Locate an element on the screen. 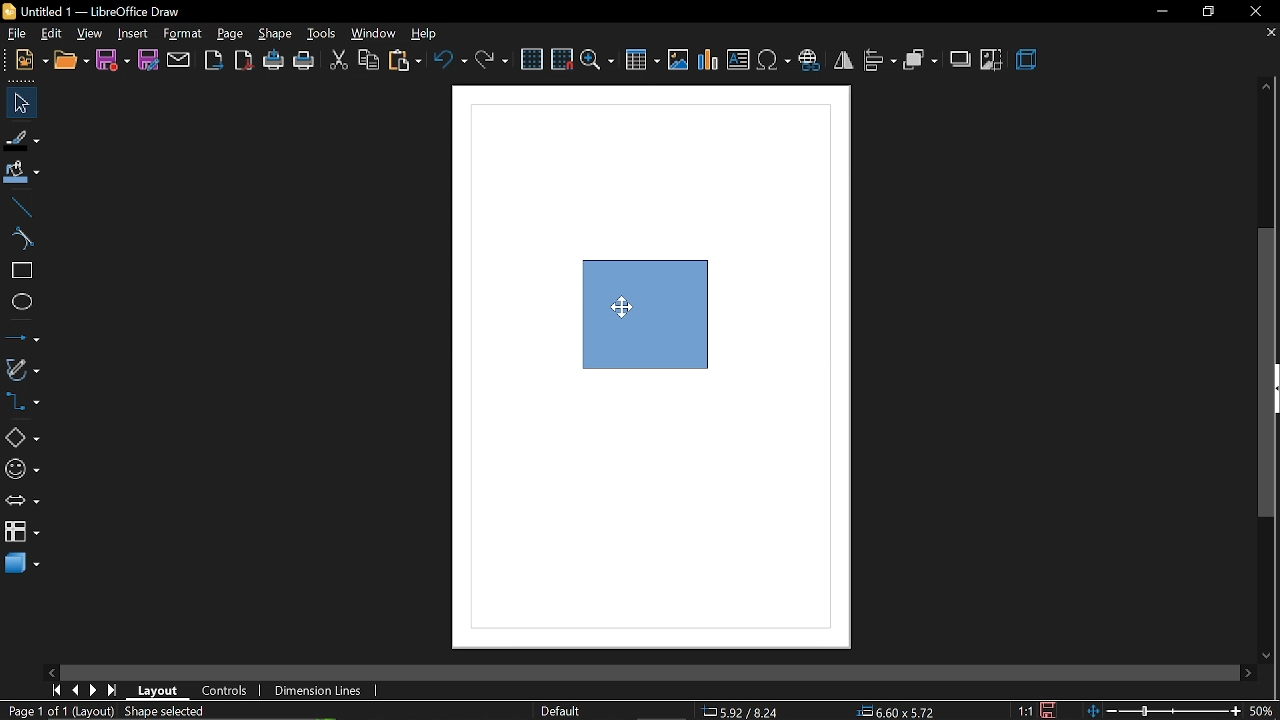 The height and width of the screenshot is (720, 1280). Insert text is located at coordinates (738, 61).